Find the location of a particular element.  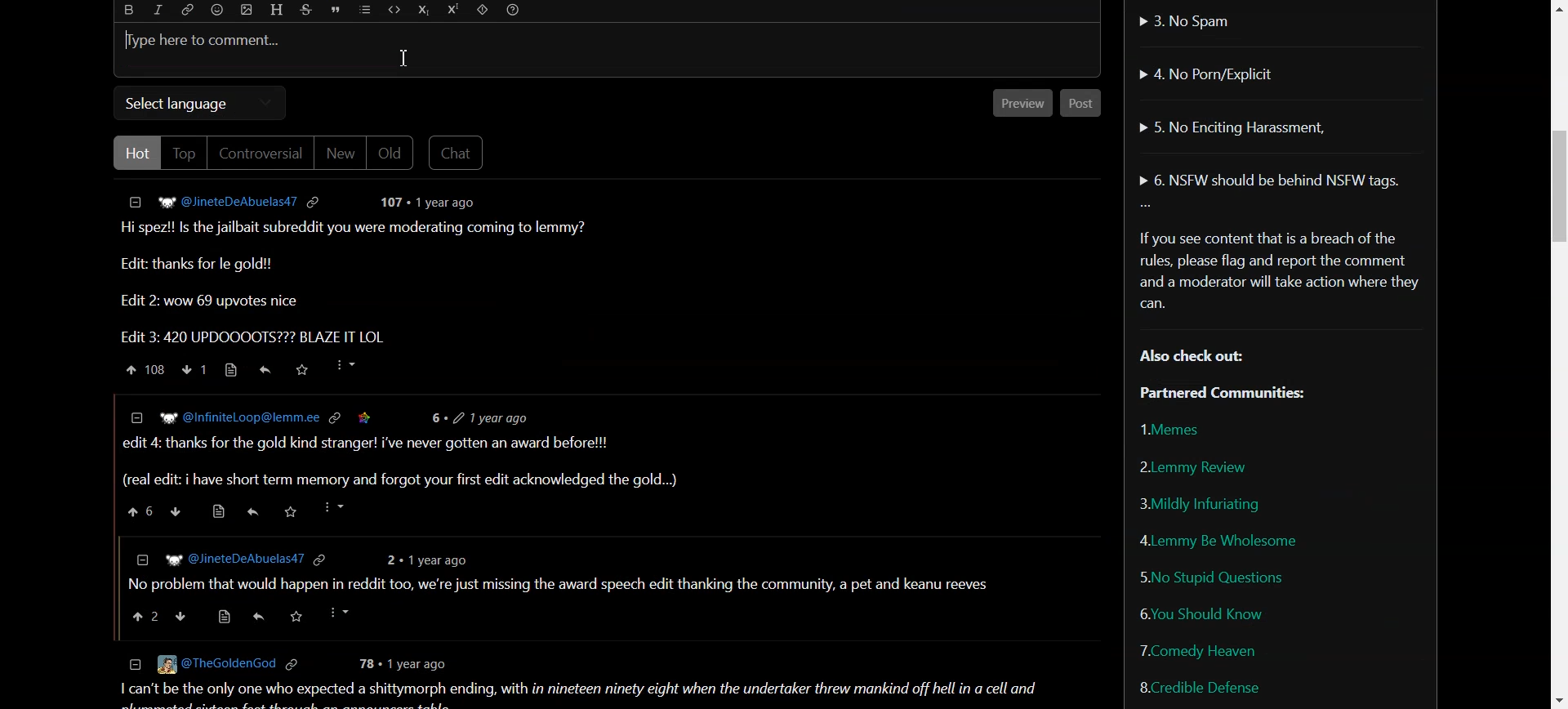

Lemmy Review is located at coordinates (1192, 466).